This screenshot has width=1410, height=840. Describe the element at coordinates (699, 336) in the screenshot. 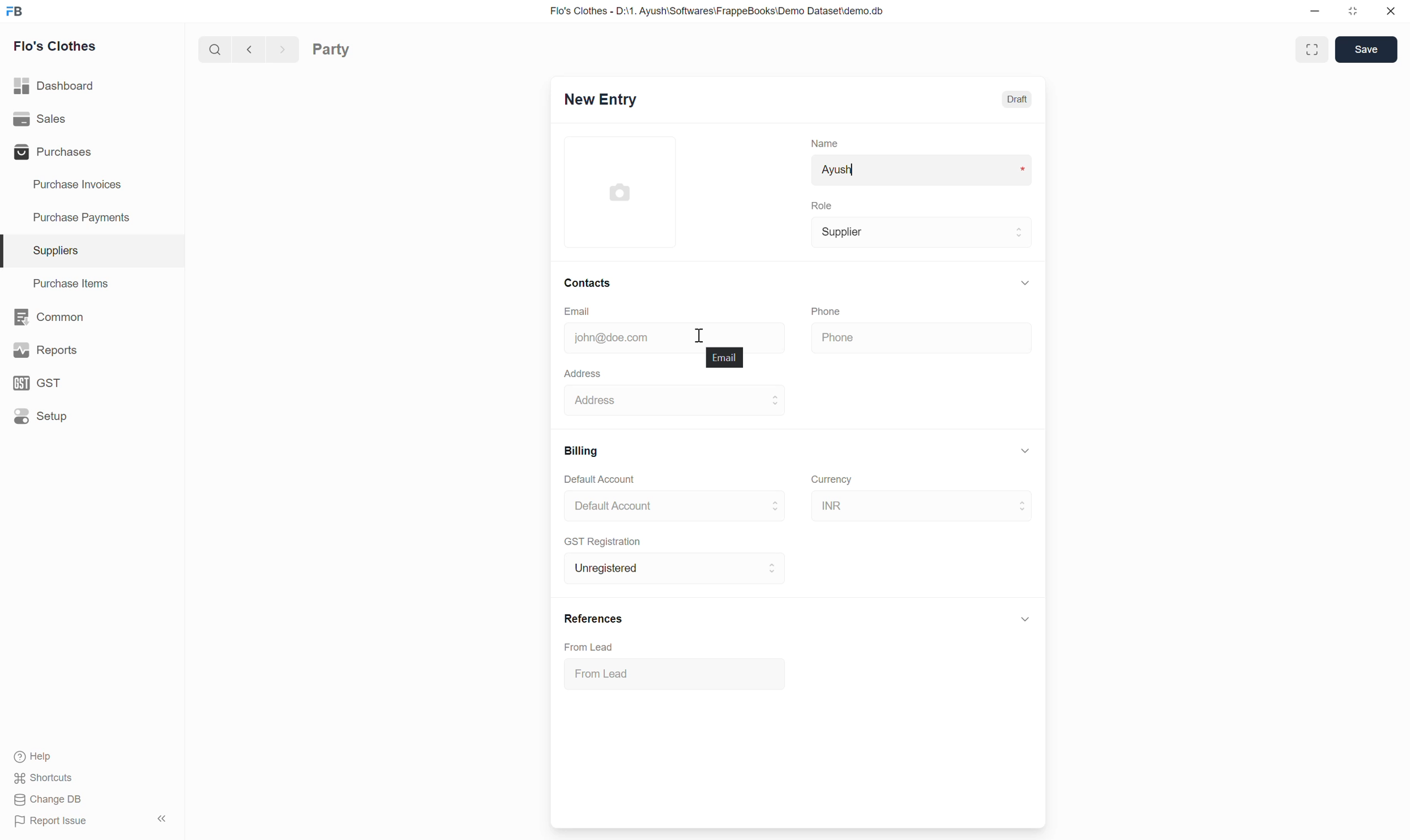

I see `Cursor` at that location.